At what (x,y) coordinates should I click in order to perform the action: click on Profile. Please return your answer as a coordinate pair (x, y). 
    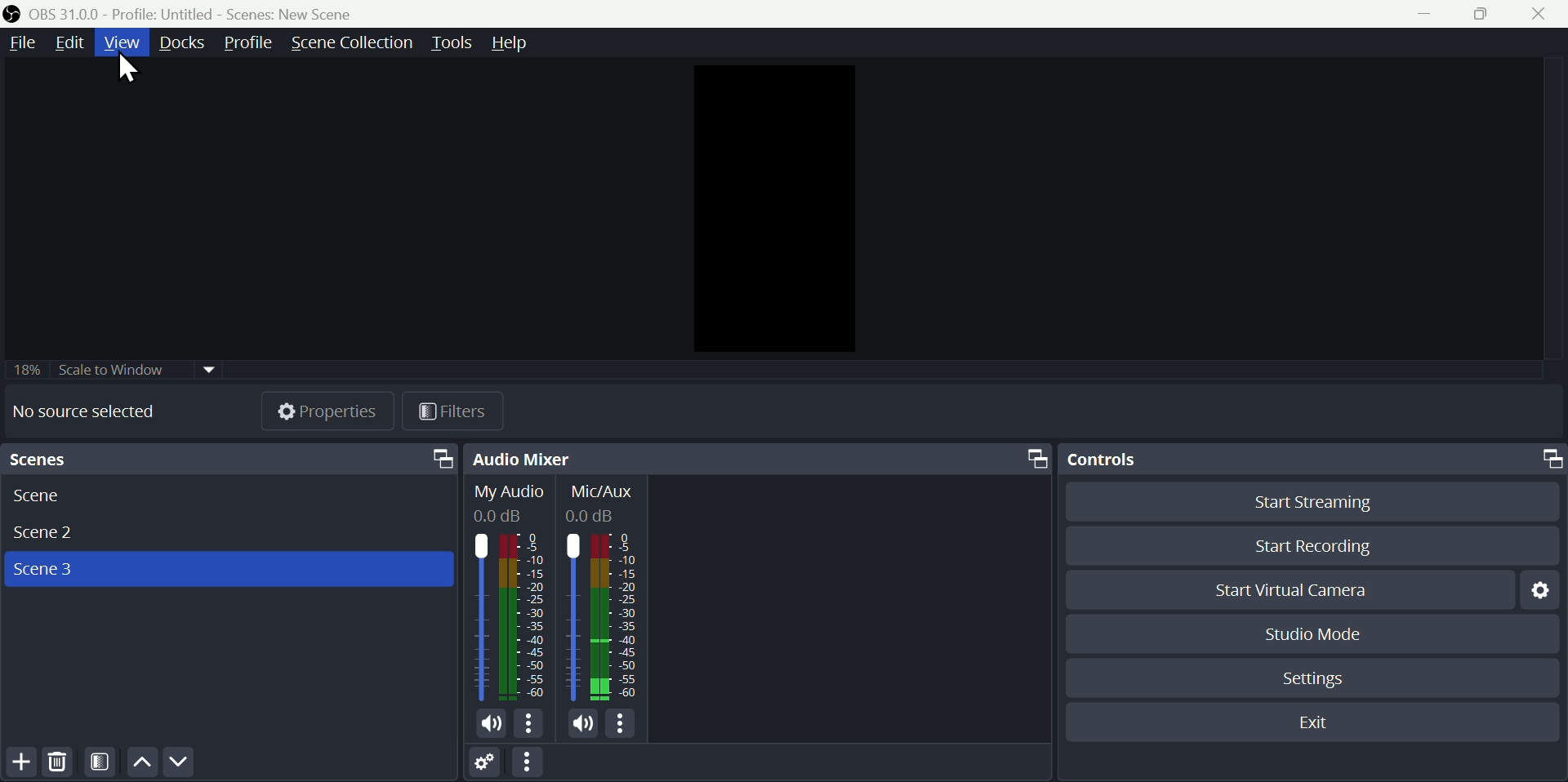
    Looking at the image, I should click on (249, 44).